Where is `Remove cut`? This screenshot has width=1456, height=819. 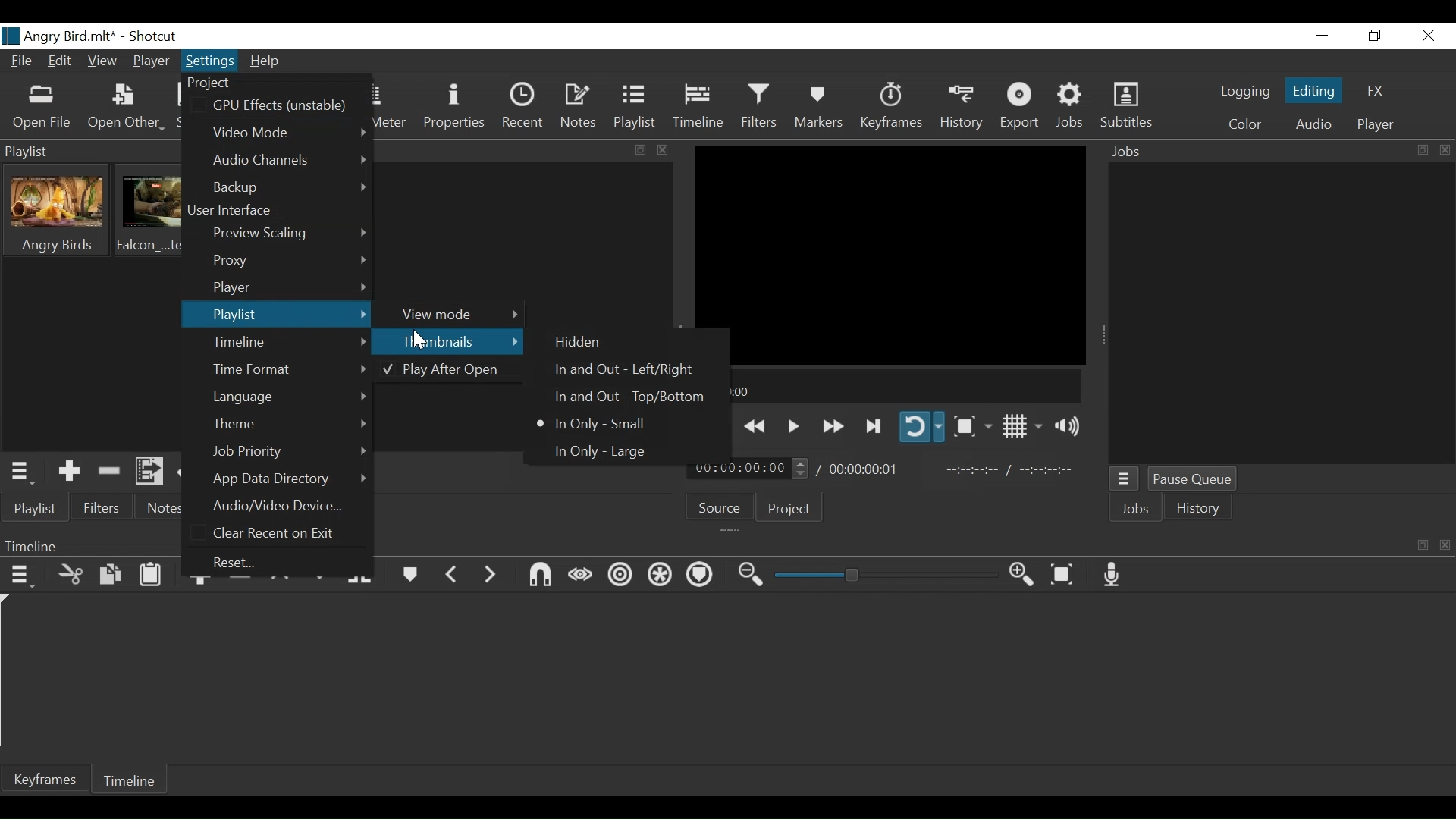 Remove cut is located at coordinates (110, 473).